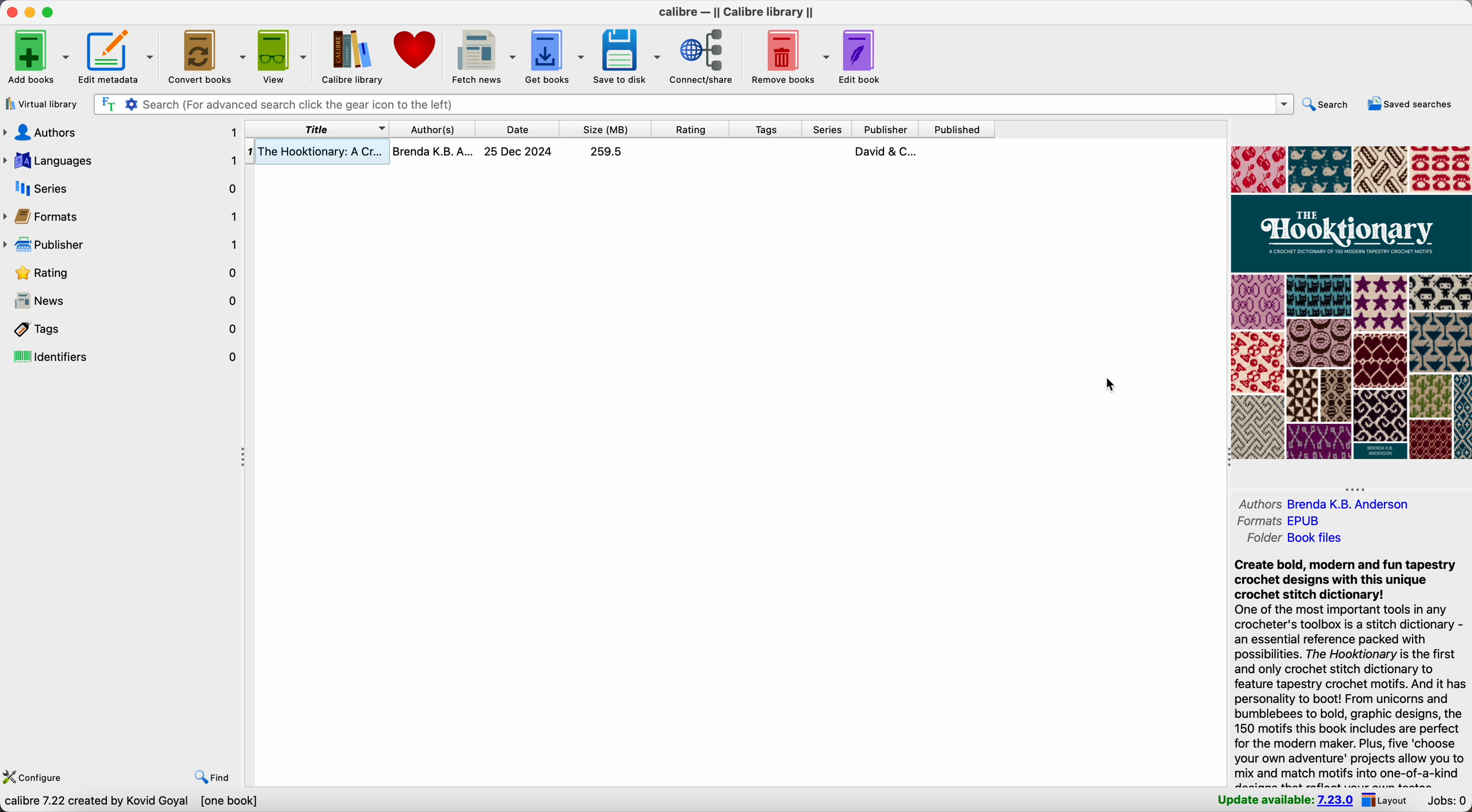  I want to click on edit book, so click(858, 57).